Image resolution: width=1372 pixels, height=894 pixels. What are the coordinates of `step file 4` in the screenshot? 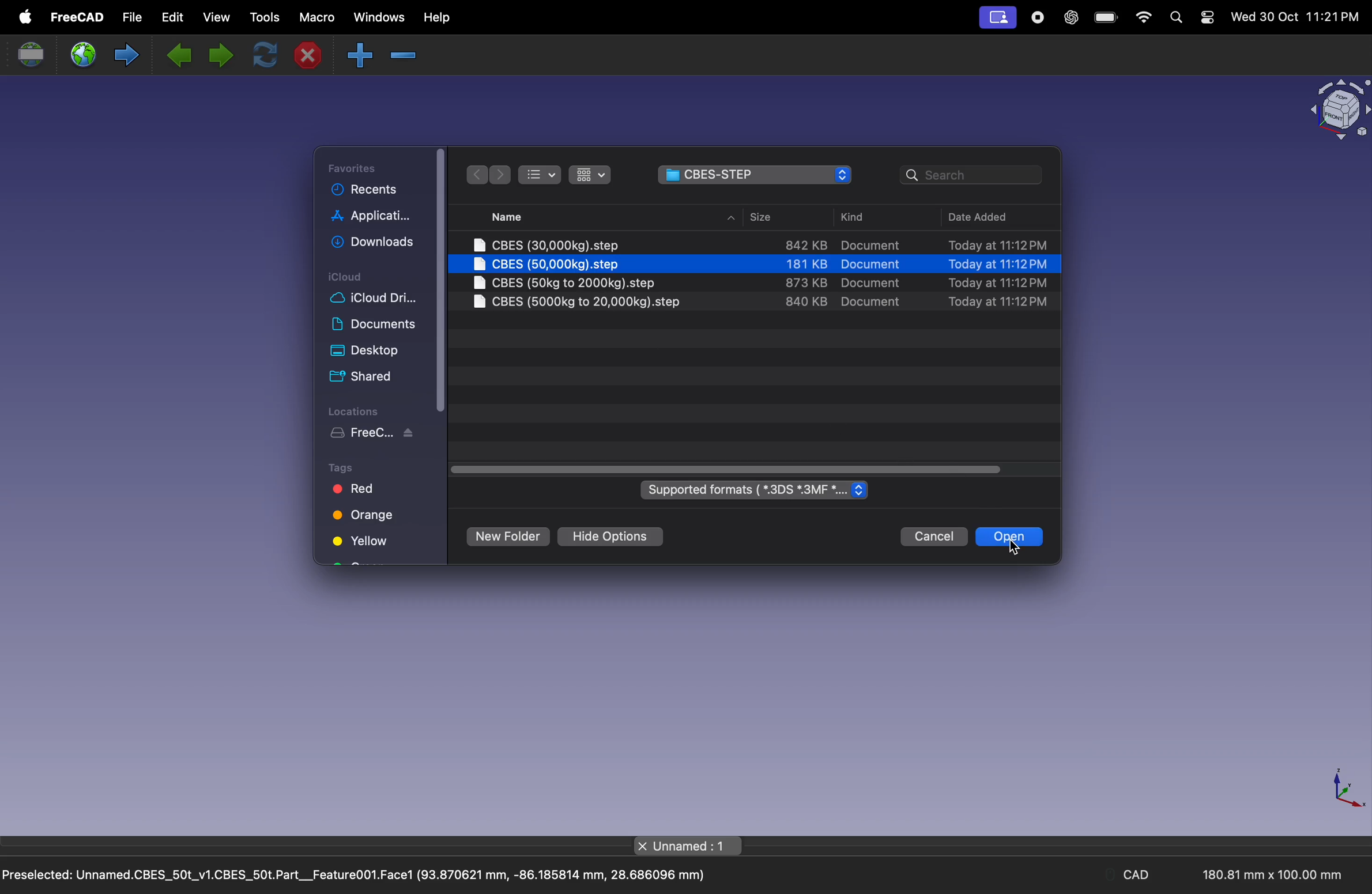 It's located at (758, 302).